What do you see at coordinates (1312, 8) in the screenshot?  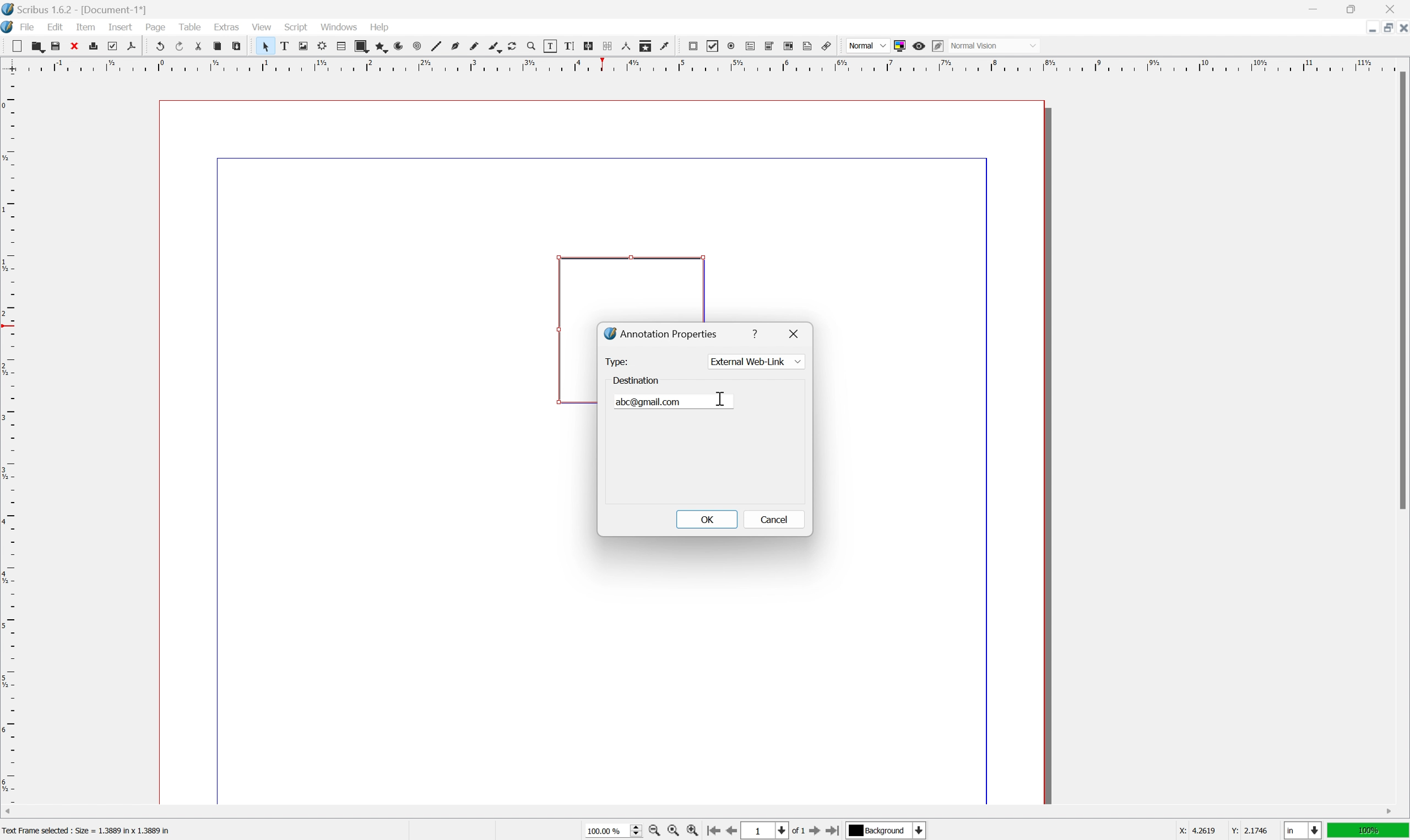 I see `minimize` at bounding box center [1312, 8].